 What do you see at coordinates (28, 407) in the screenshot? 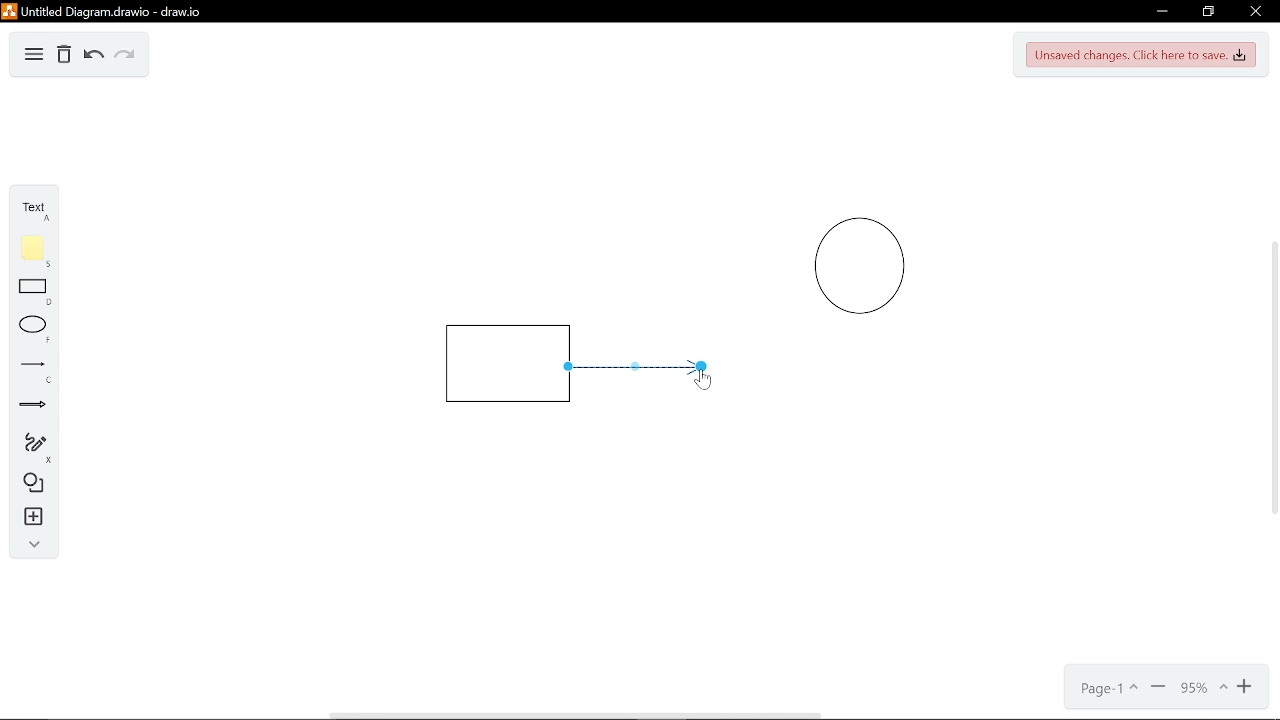
I see `Arrow` at bounding box center [28, 407].